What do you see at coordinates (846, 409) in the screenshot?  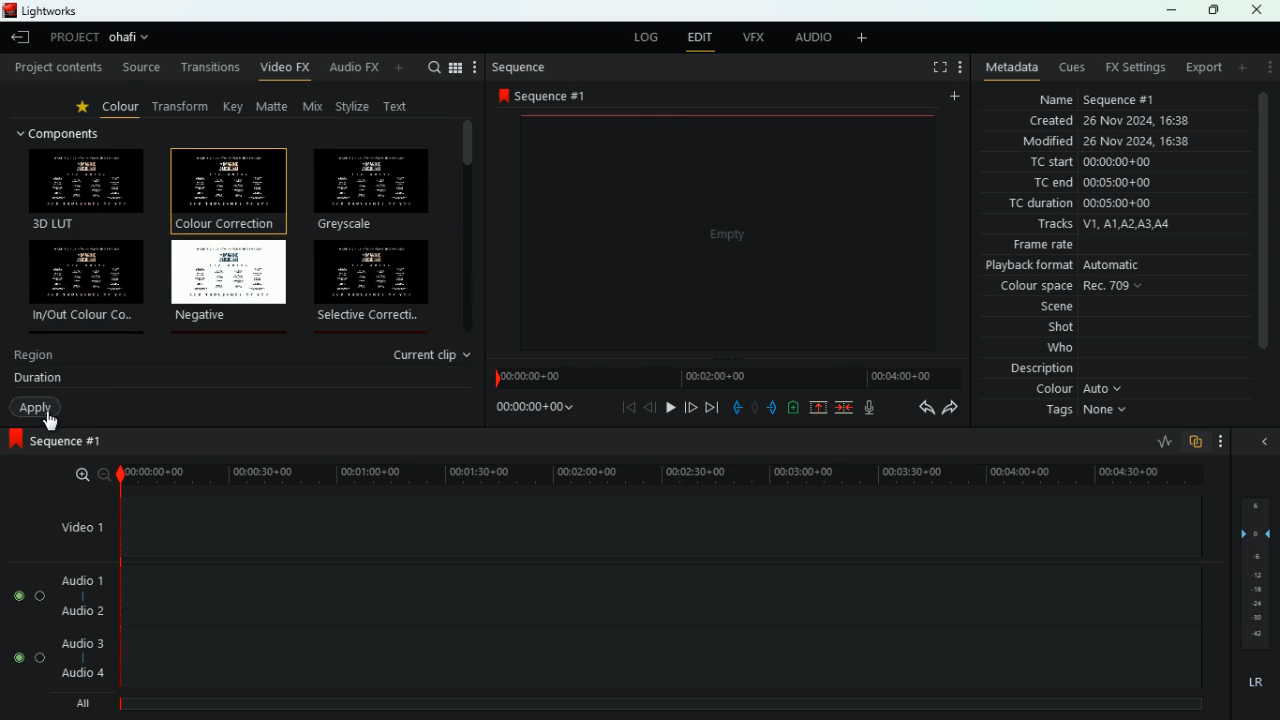 I see `compress` at bounding box center [846, 409].